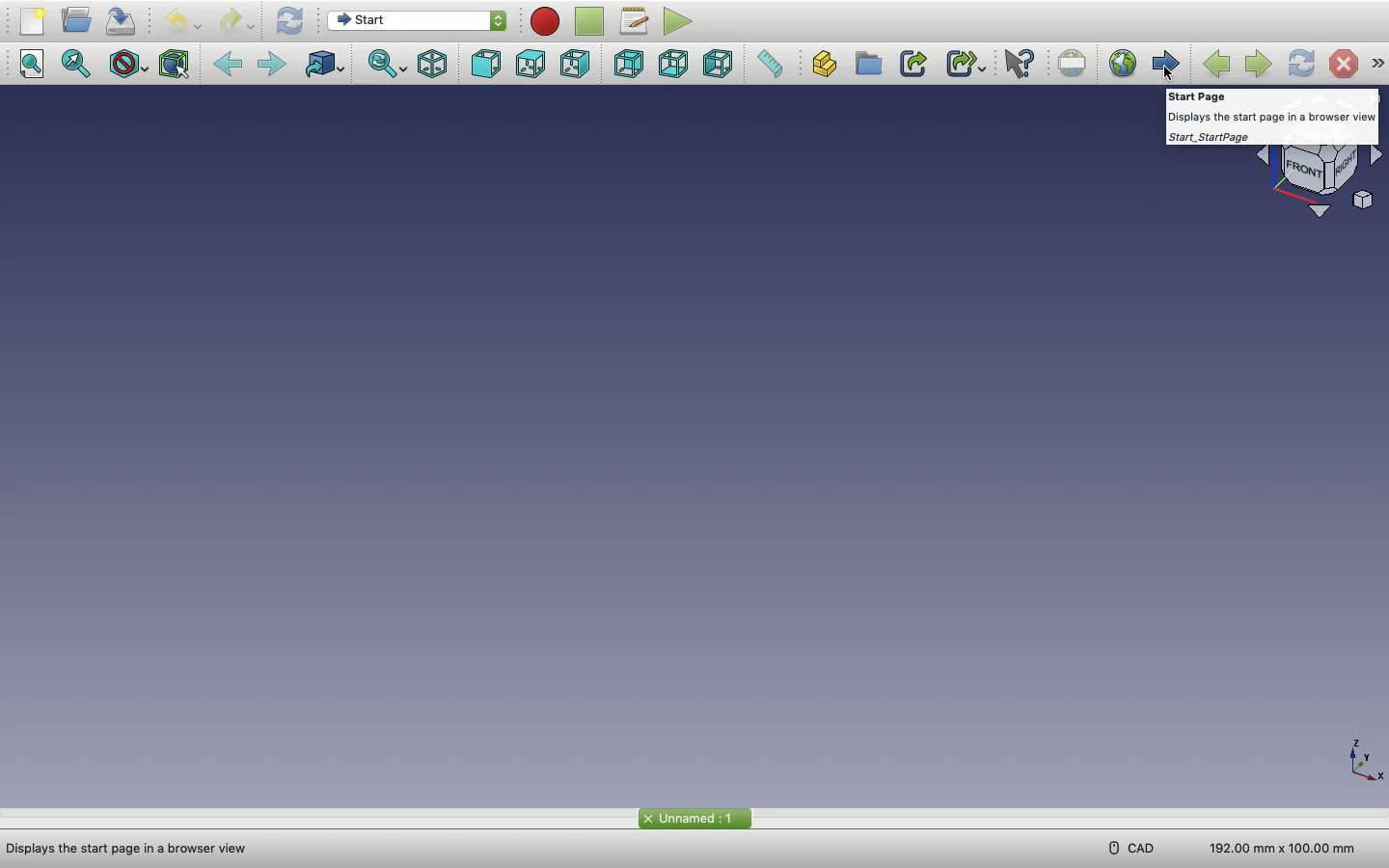 This screenshot has height=868, width=1389. I want to click on cursor, so click(1176, 86).